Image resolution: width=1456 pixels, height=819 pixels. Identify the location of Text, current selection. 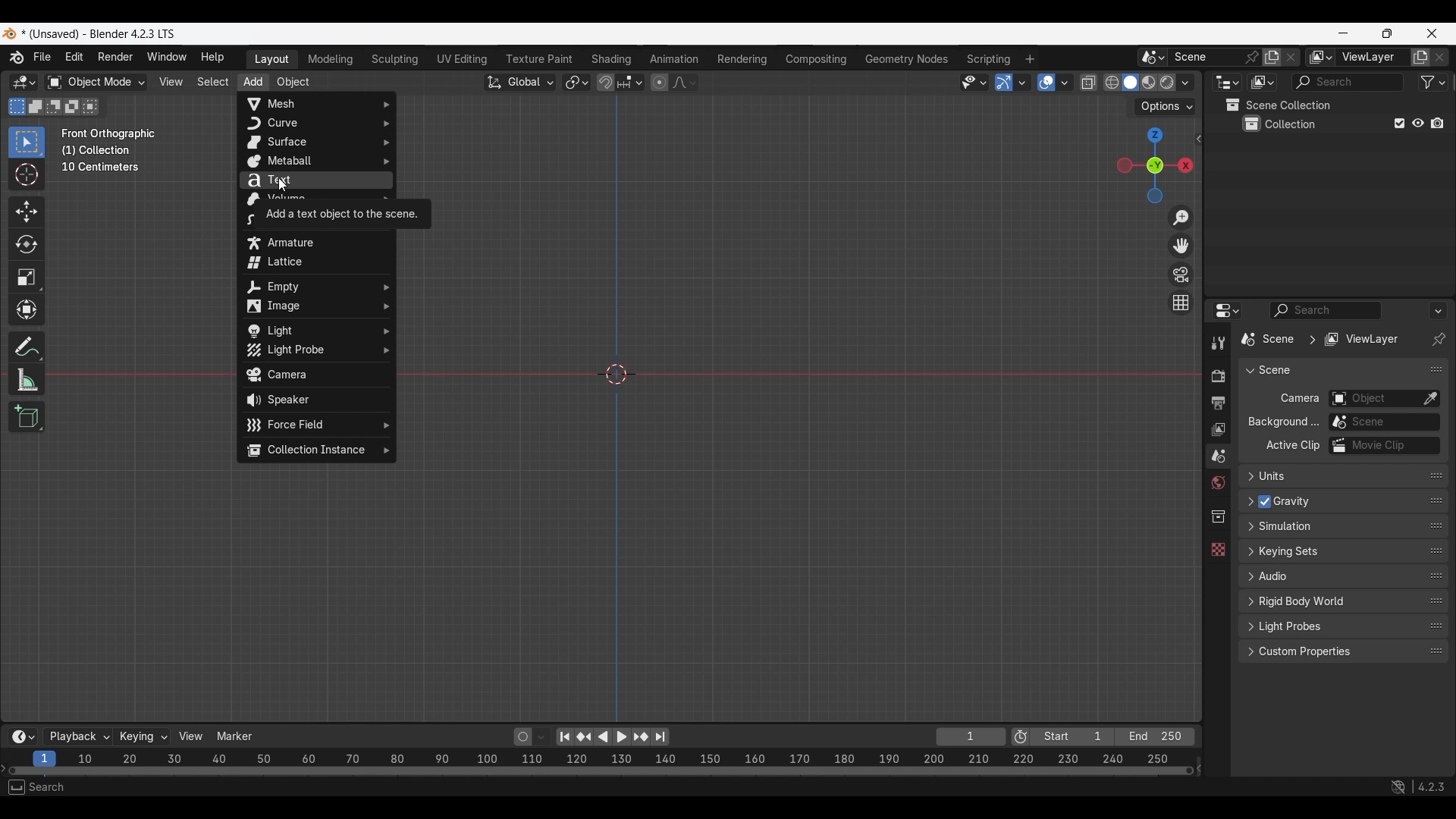
(316, 179).